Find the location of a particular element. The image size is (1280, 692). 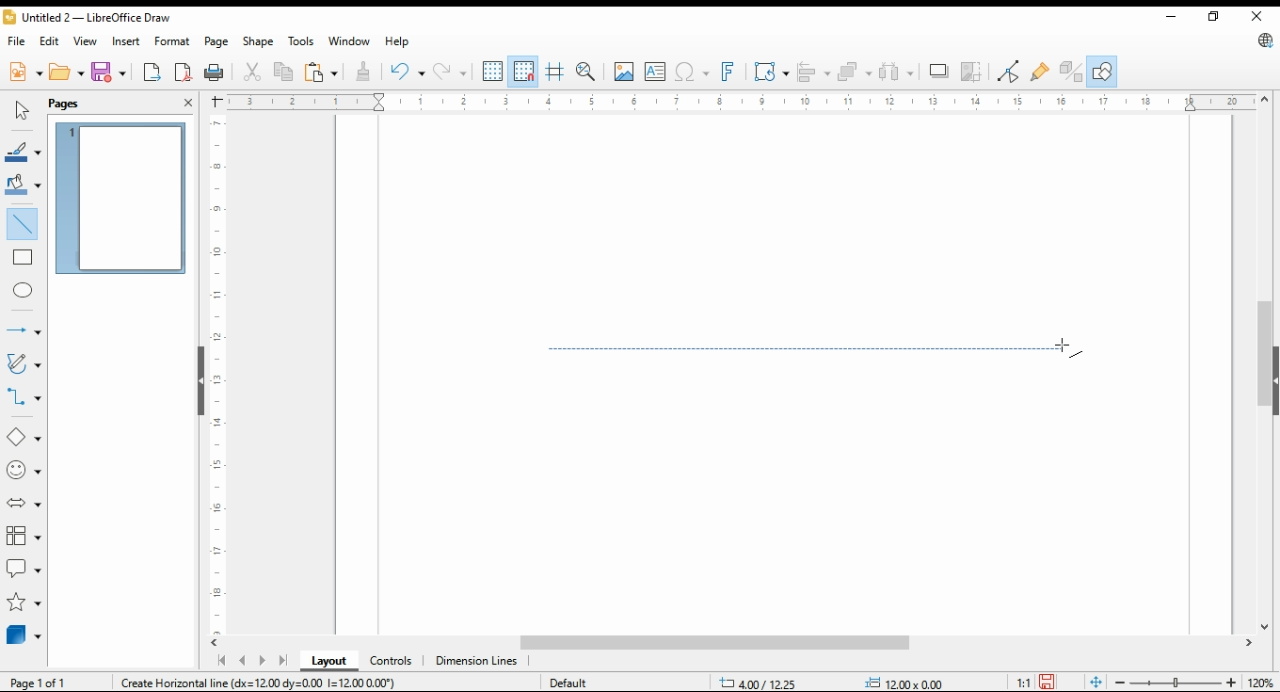

close window is located at coordinates (1258, 16).